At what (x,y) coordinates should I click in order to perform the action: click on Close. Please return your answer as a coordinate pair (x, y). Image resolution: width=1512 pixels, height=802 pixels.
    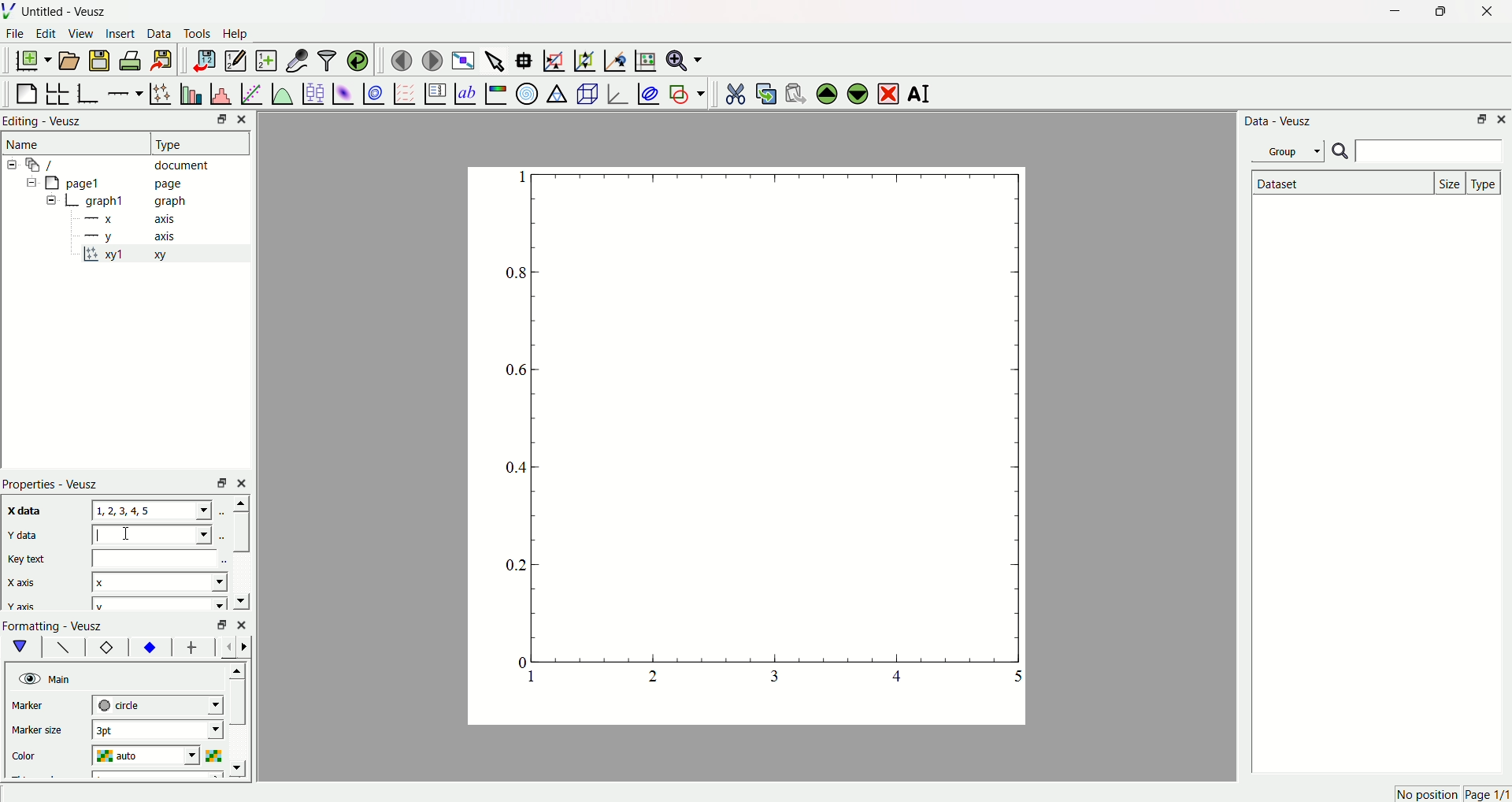
    Looking at the image, I should click on (246, 119).